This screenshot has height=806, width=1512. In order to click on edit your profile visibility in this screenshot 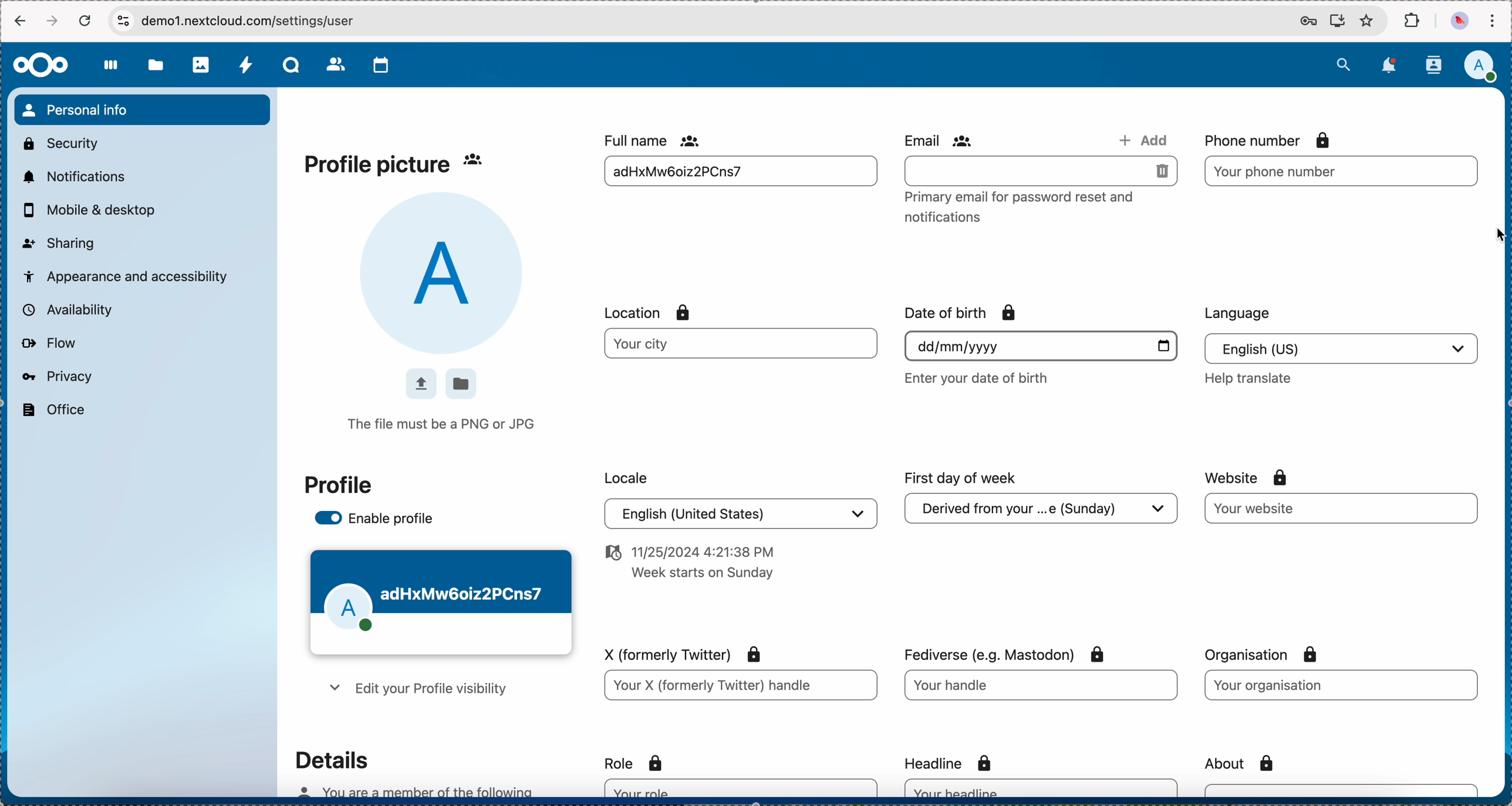, I will do `click(415, 689)`.